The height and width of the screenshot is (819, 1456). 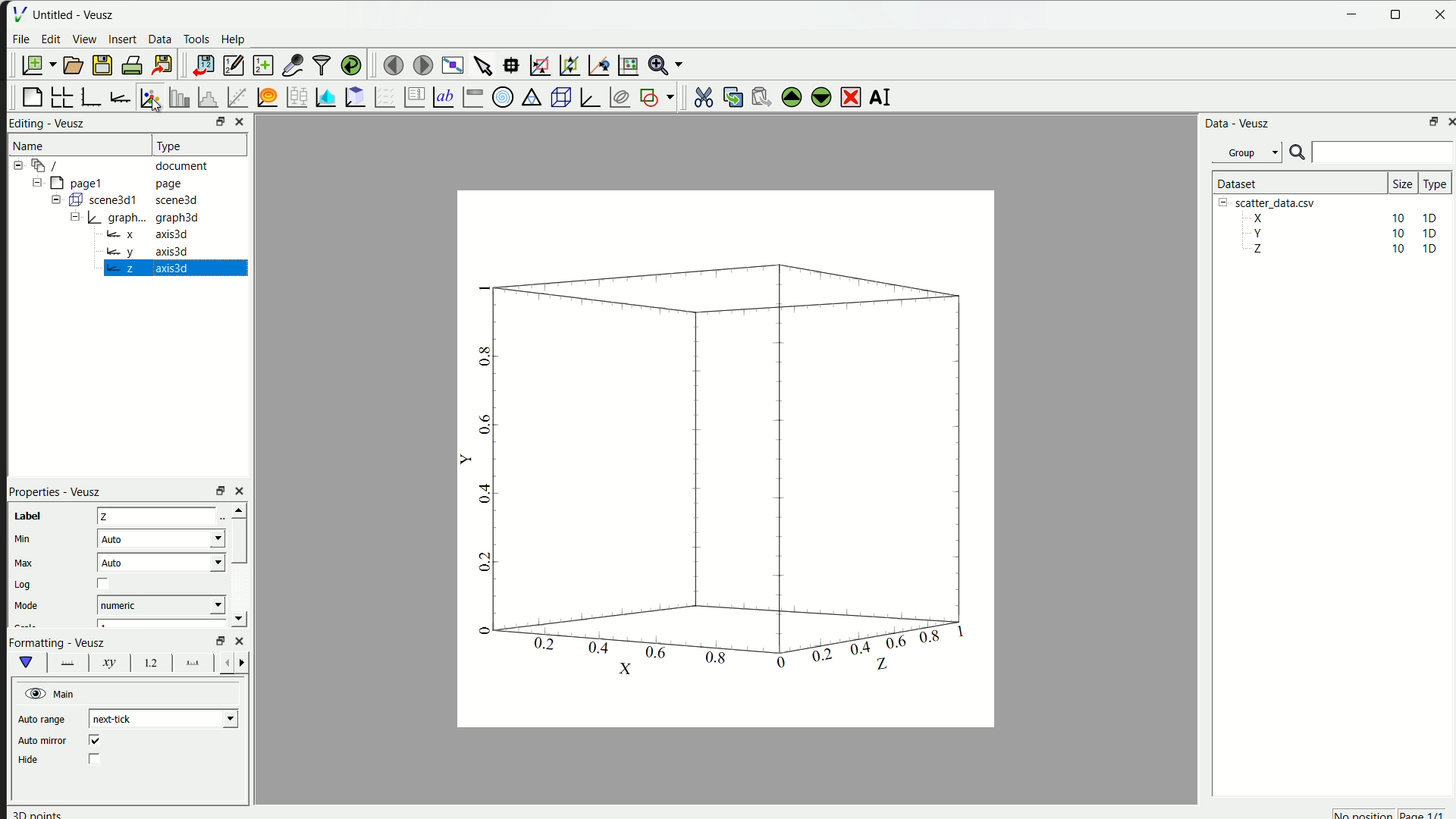 I want to click on arrange graph in grid, so click(x=61, y=96).